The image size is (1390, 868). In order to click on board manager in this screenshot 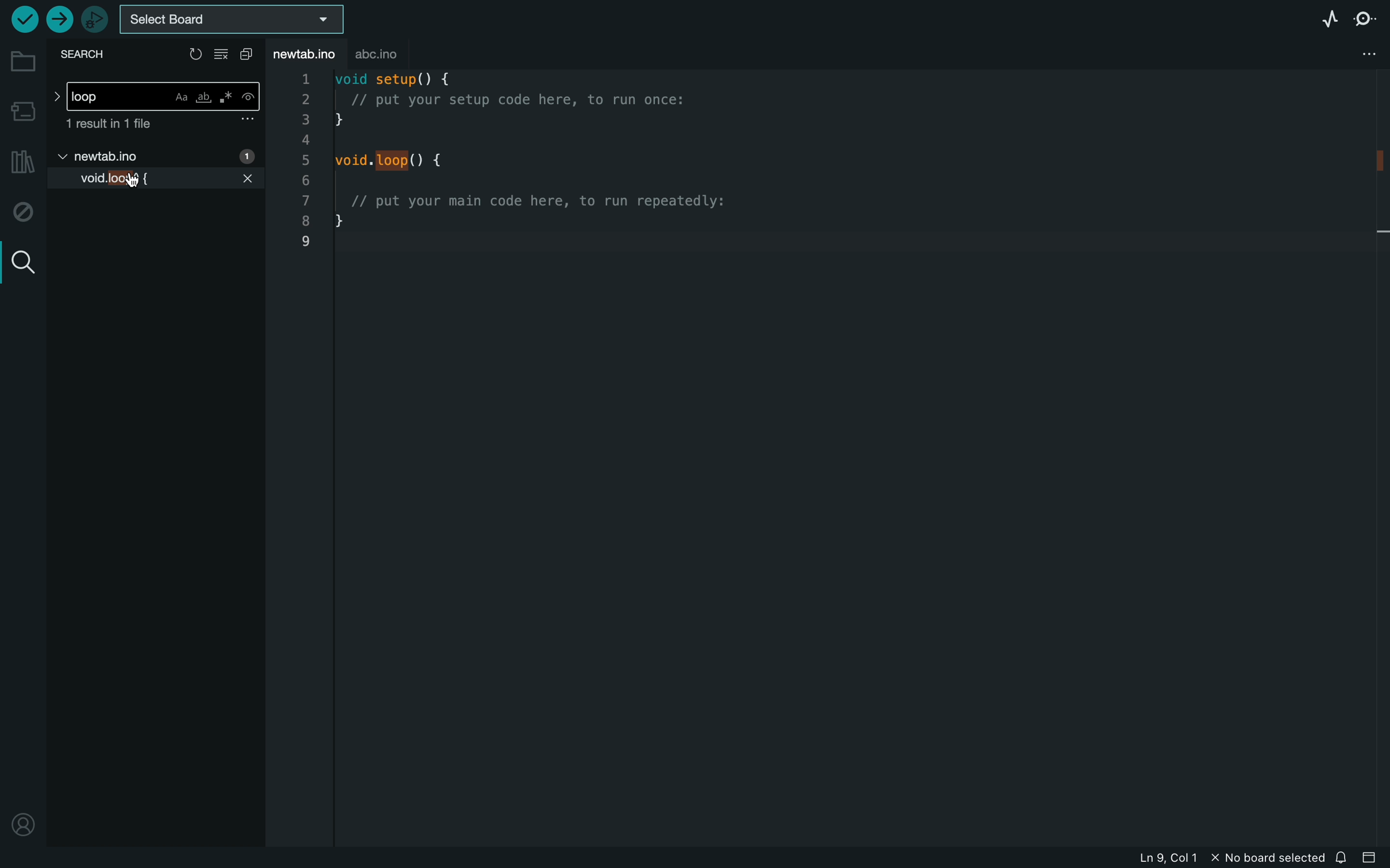, I will do `click(22, 109)`.